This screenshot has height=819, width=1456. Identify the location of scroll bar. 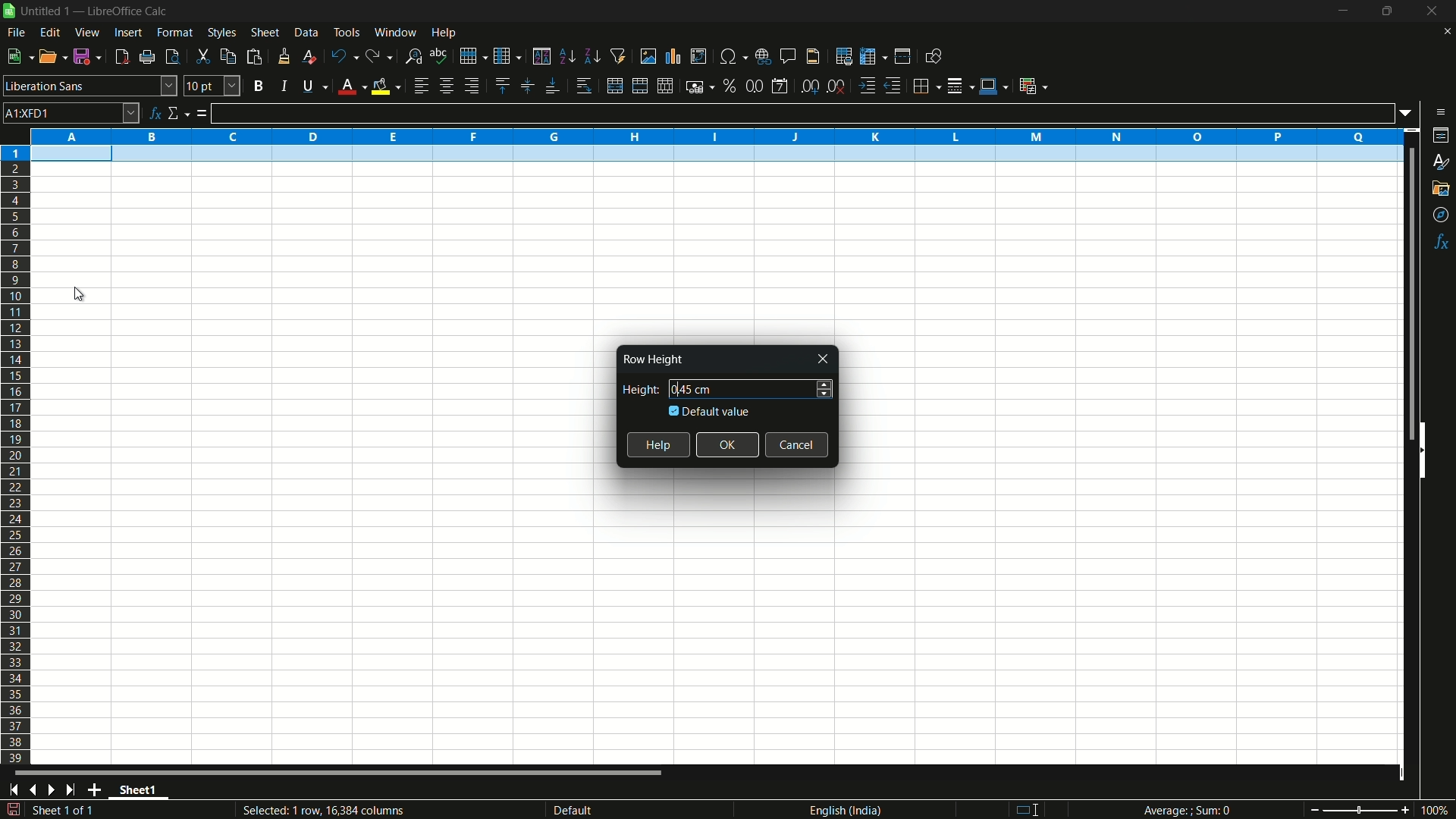
(1403, 294).